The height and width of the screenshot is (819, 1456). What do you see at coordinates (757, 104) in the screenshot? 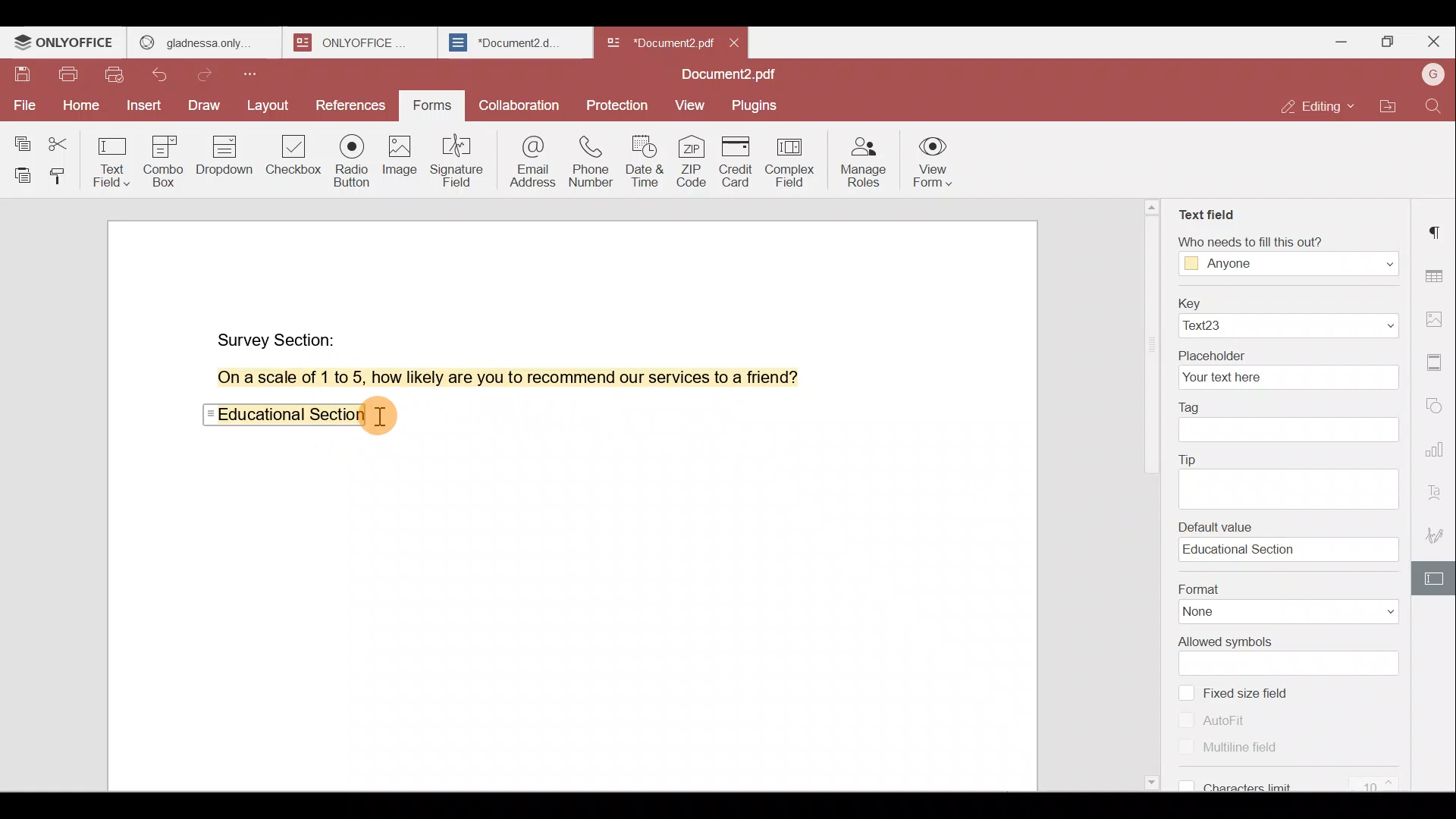
I see `Plugins` at bounding box center [757, 104].